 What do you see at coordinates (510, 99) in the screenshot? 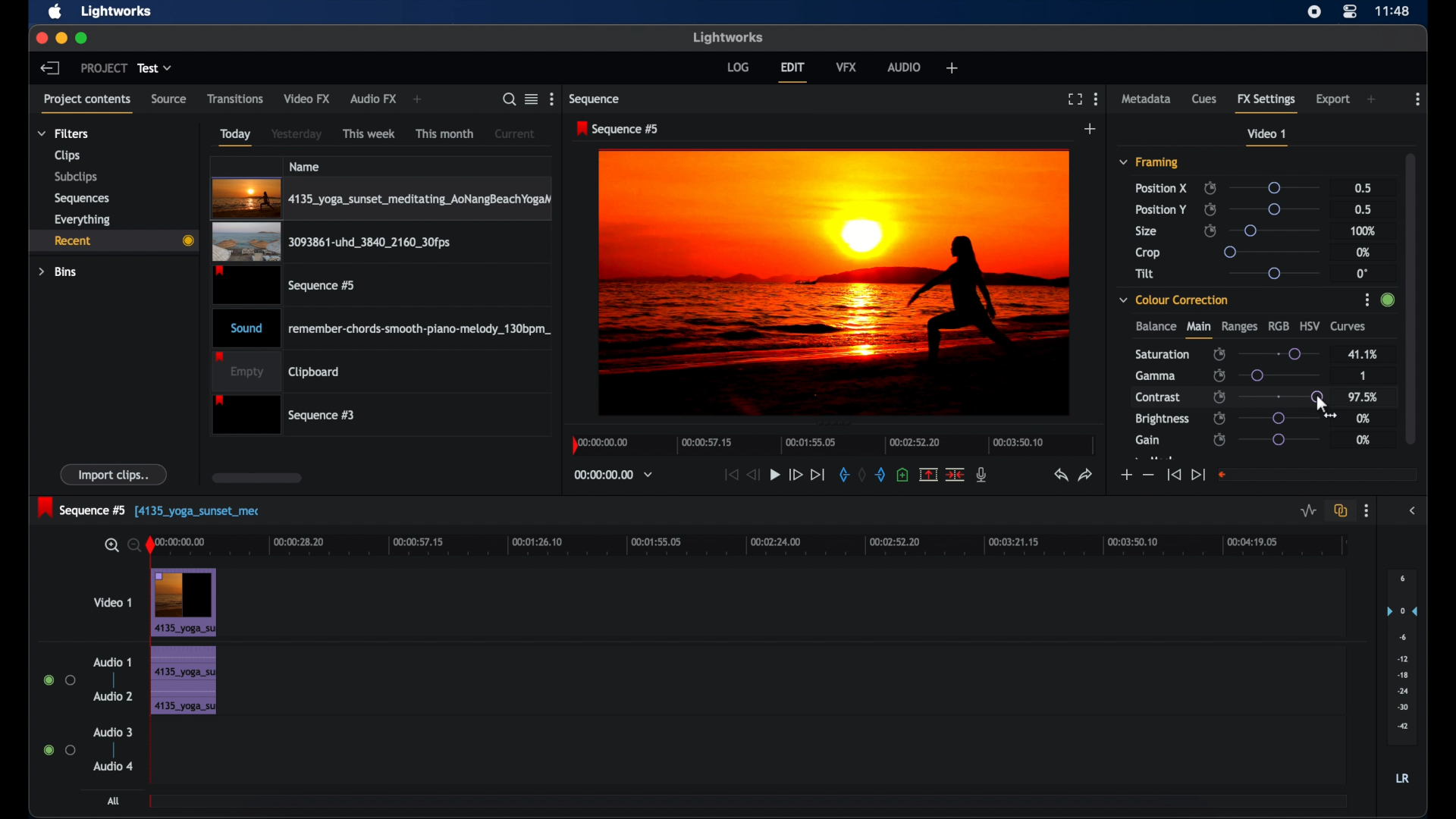
I see `search` at bounding box center [510, 99].